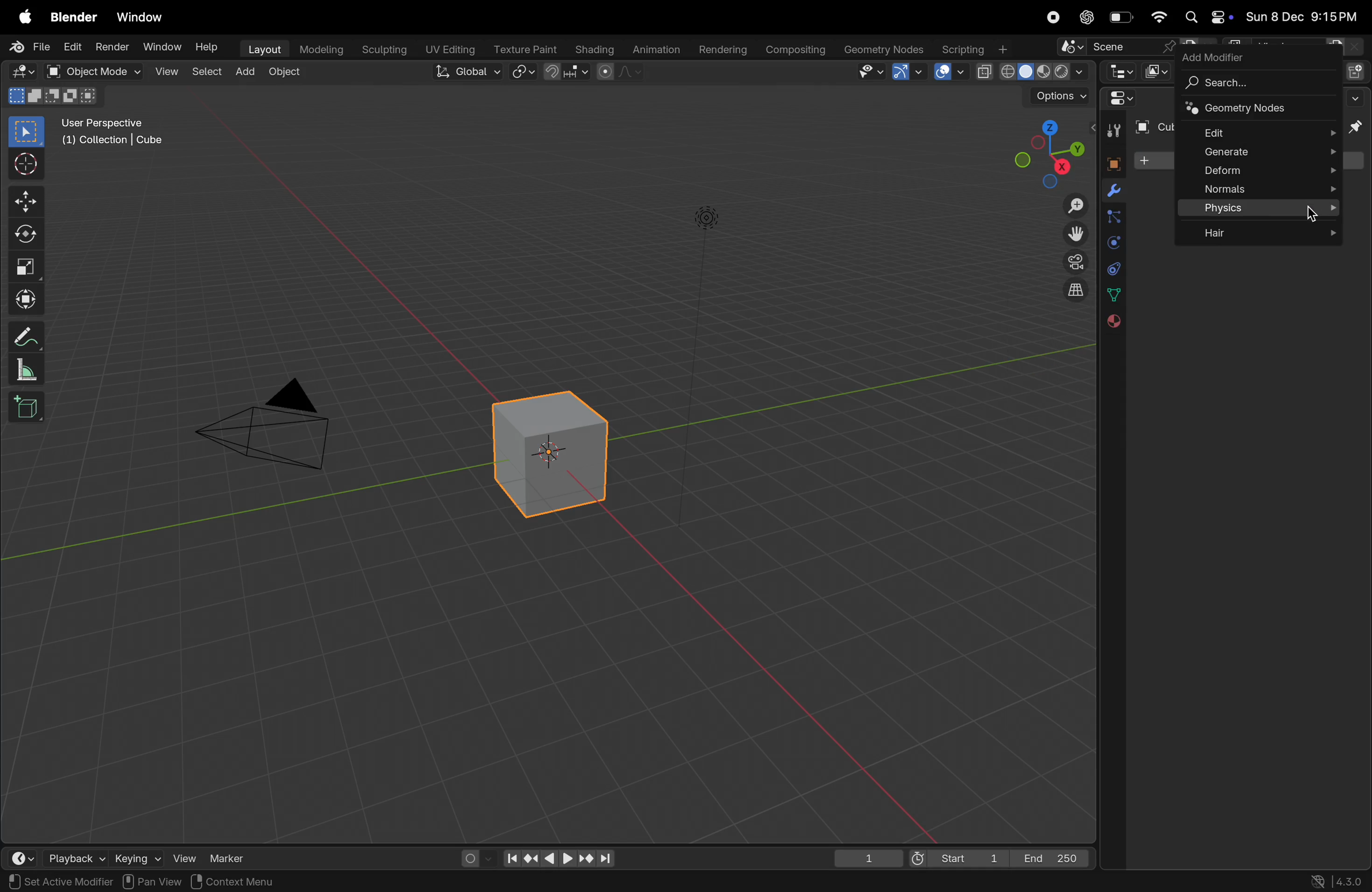 This screenshot has width=1372, height=892. What do you see at coordinates (1073, 233) in the screenshot?
I see `move the view` at bounding box center [1073, 233].